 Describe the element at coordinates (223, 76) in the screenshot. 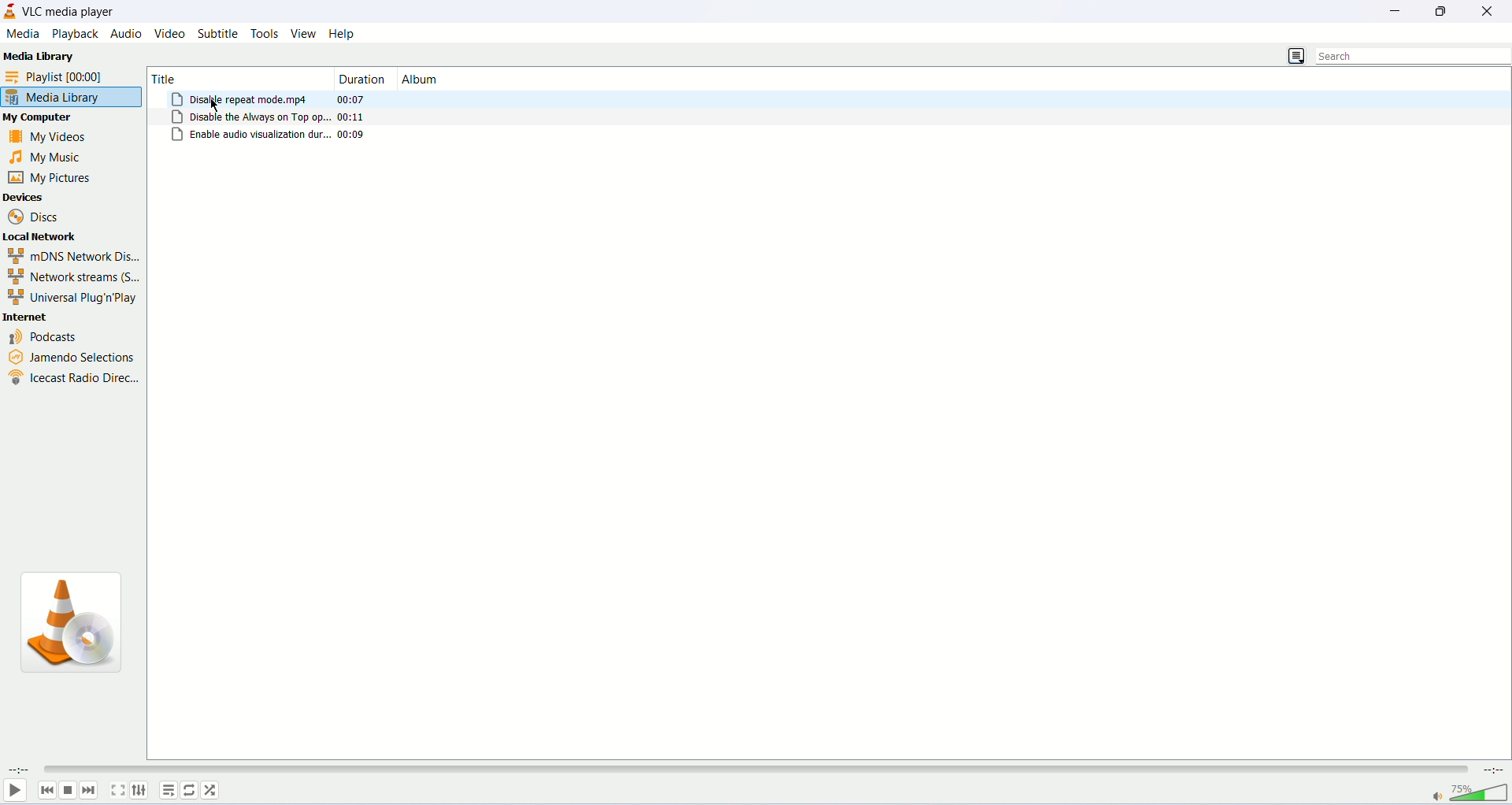

I see `title` at that location.